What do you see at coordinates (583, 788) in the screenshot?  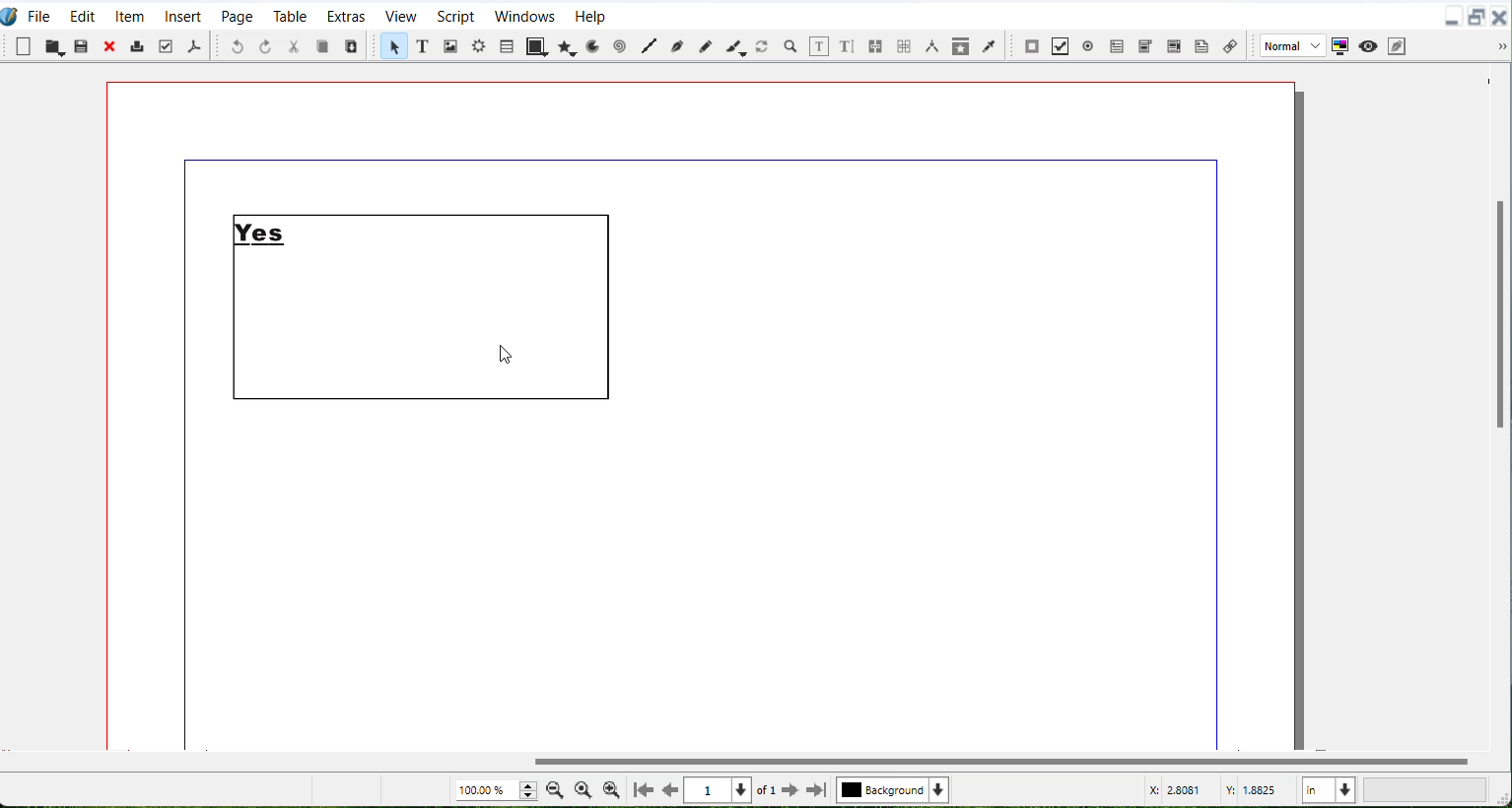 I see `Zoom to 100%` at bounding box center [583, 788].